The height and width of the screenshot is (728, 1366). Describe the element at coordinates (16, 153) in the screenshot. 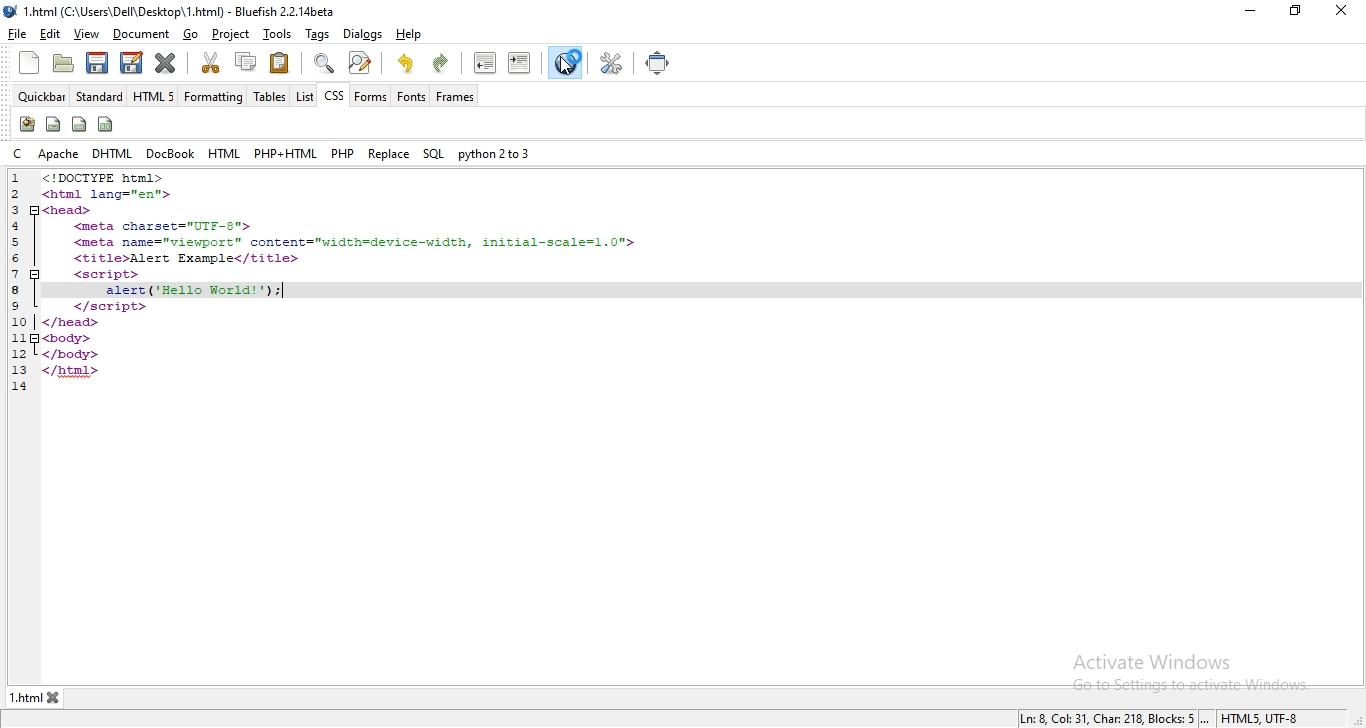

I see `c` at that location.